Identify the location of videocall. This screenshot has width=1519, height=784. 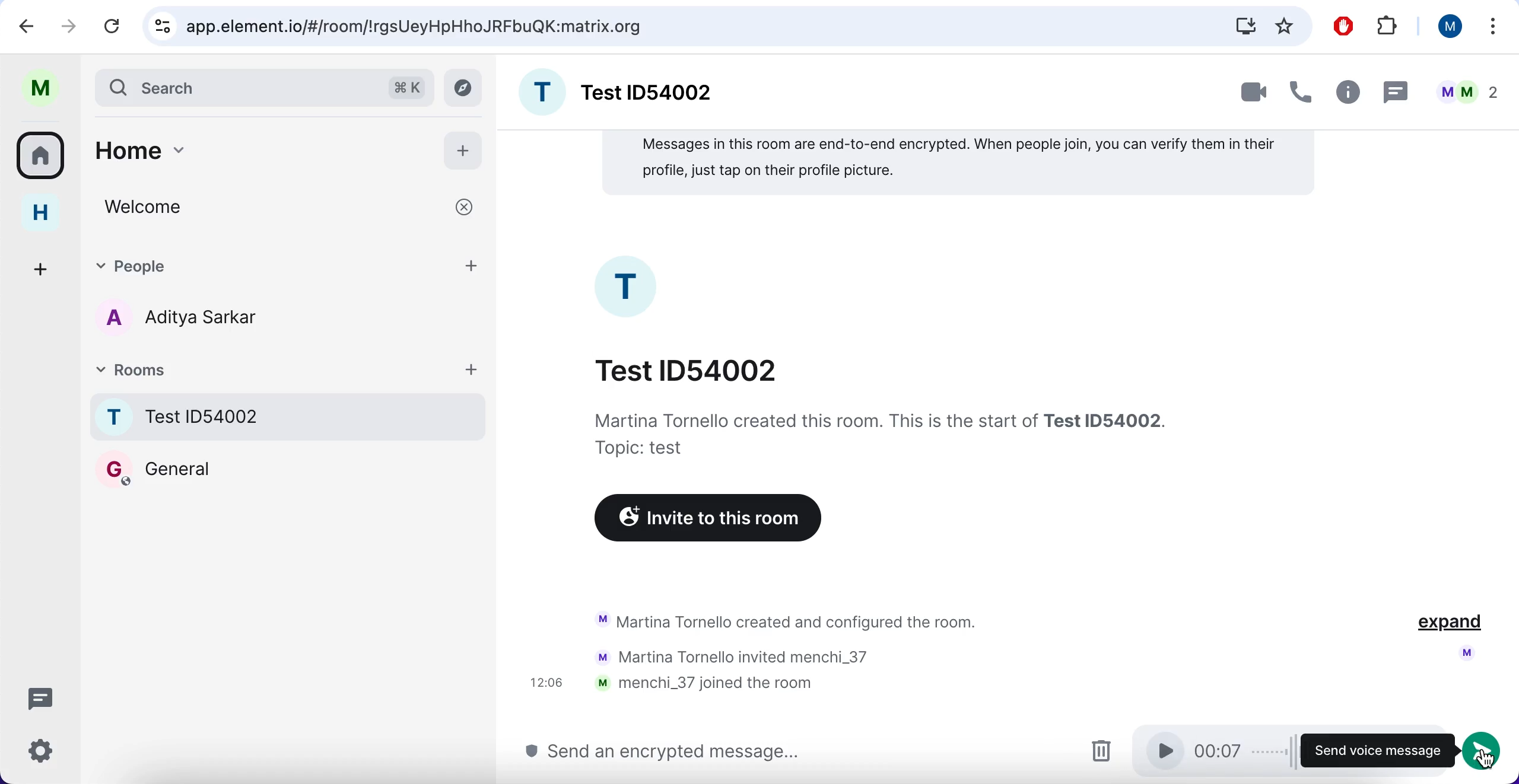
(1251, 94).